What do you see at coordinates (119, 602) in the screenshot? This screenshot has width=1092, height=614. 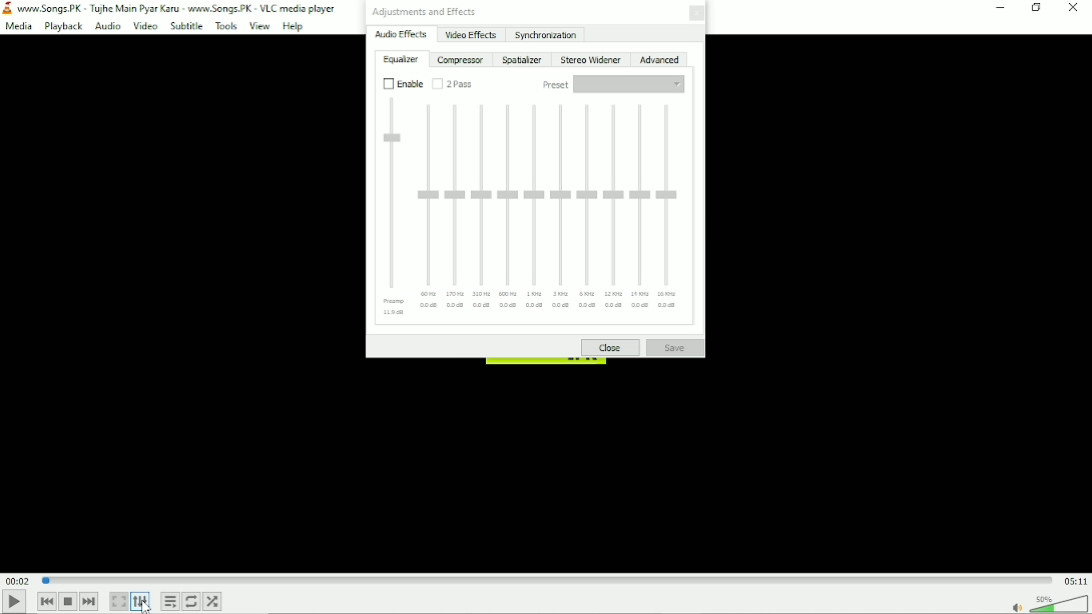 I see `Toggle video in fullscreen` at bounding box center [119, 602].